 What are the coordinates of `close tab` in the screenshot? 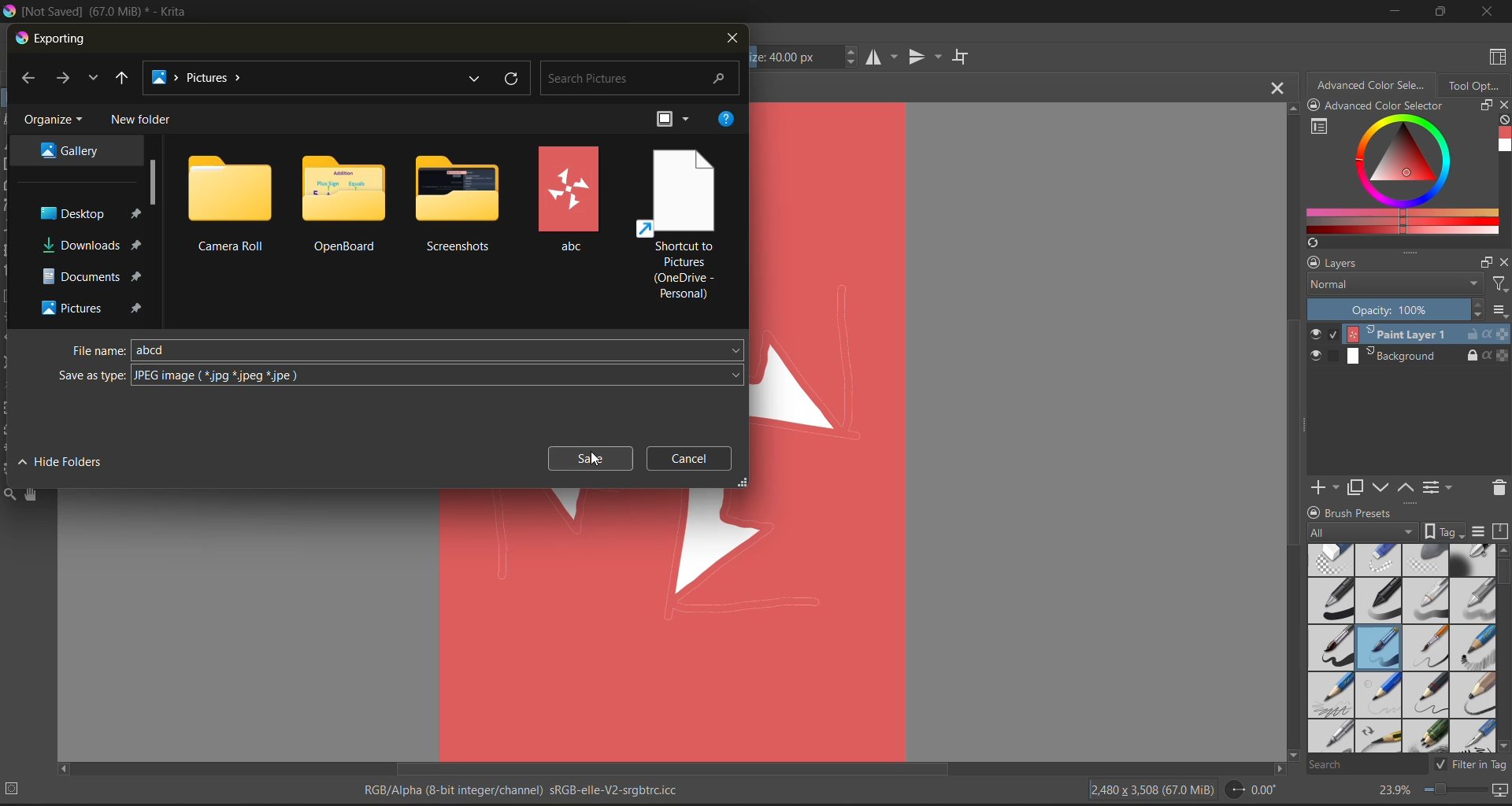 It's located at (1273, 91).